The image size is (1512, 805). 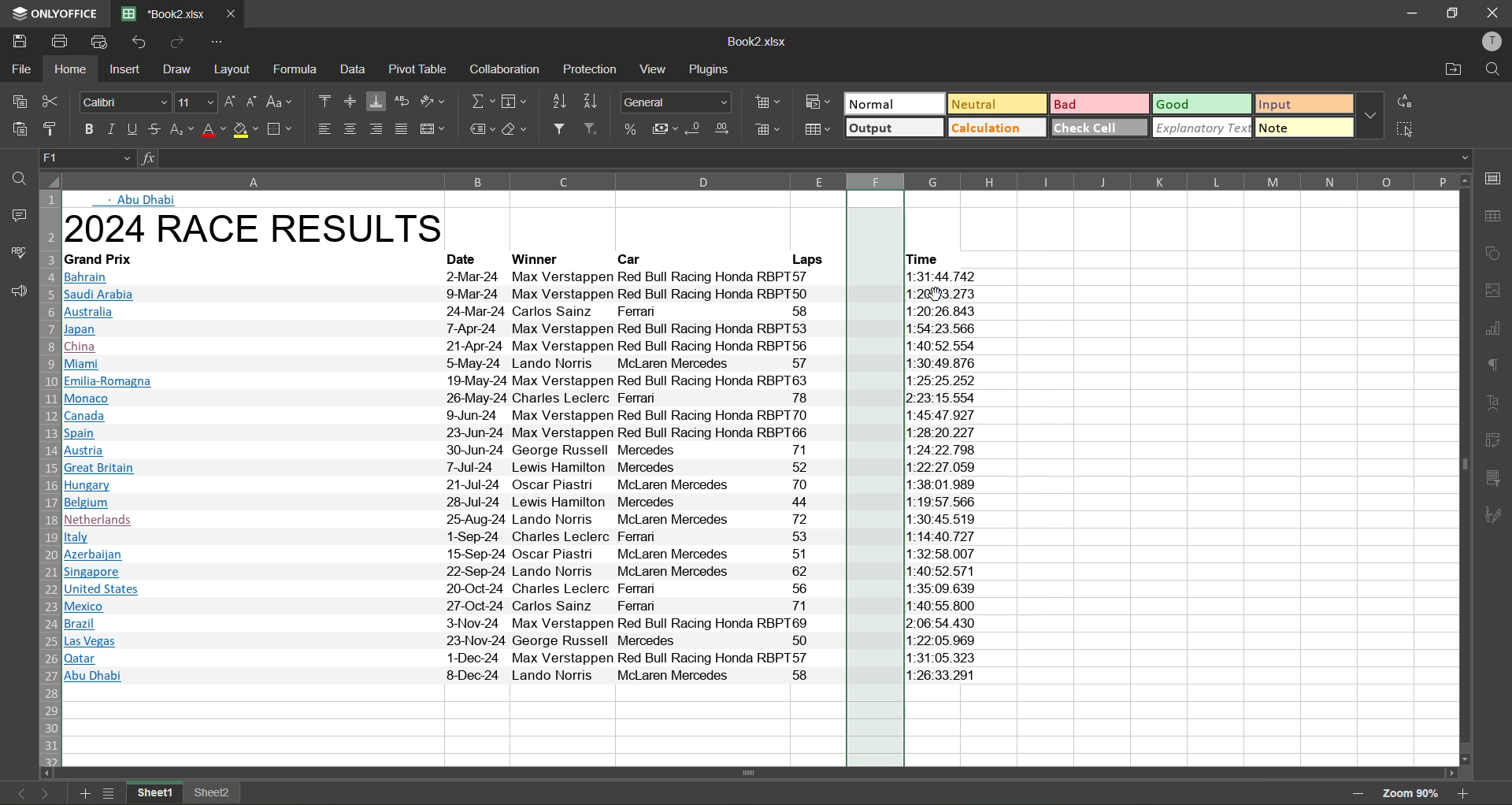 What do you see at coordinates (748, 773) in the screenshot?
I see `horizontal scrollbar` at bounding box center [748, 773].